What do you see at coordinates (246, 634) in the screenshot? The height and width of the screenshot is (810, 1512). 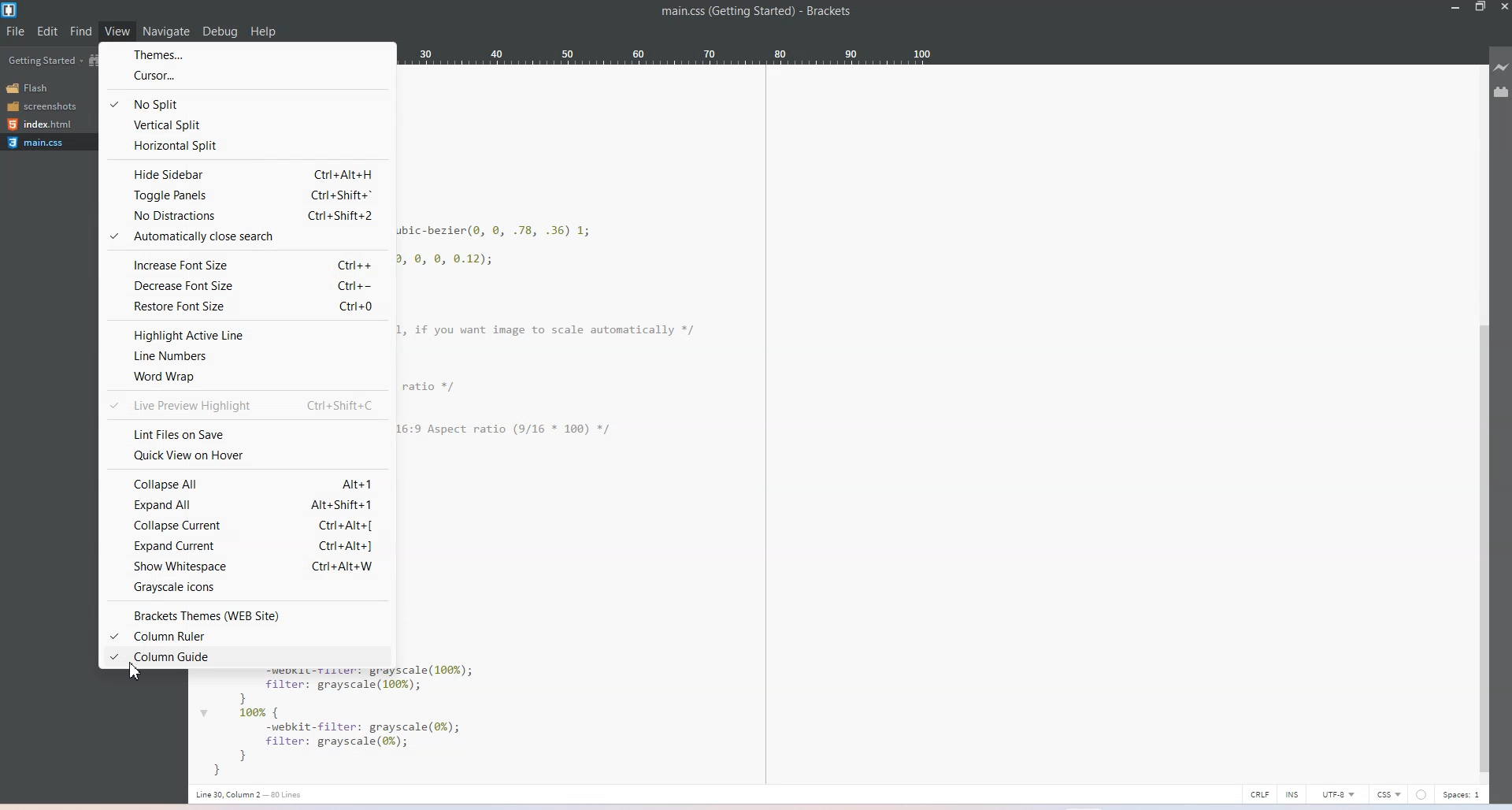 I see `Column ruler` at bounding box center [246, 634].